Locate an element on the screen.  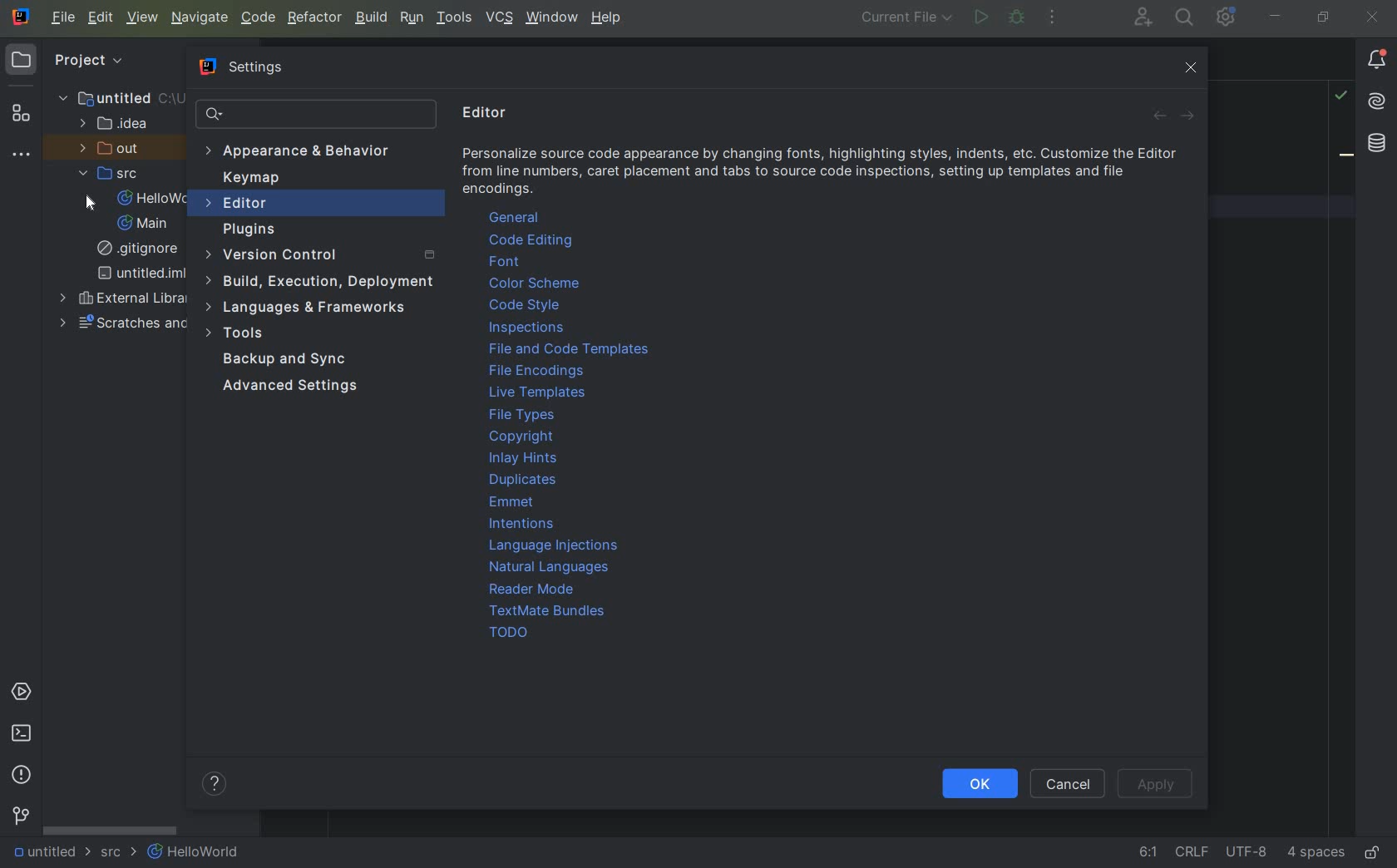
database is located at coordinates (1376, 144).